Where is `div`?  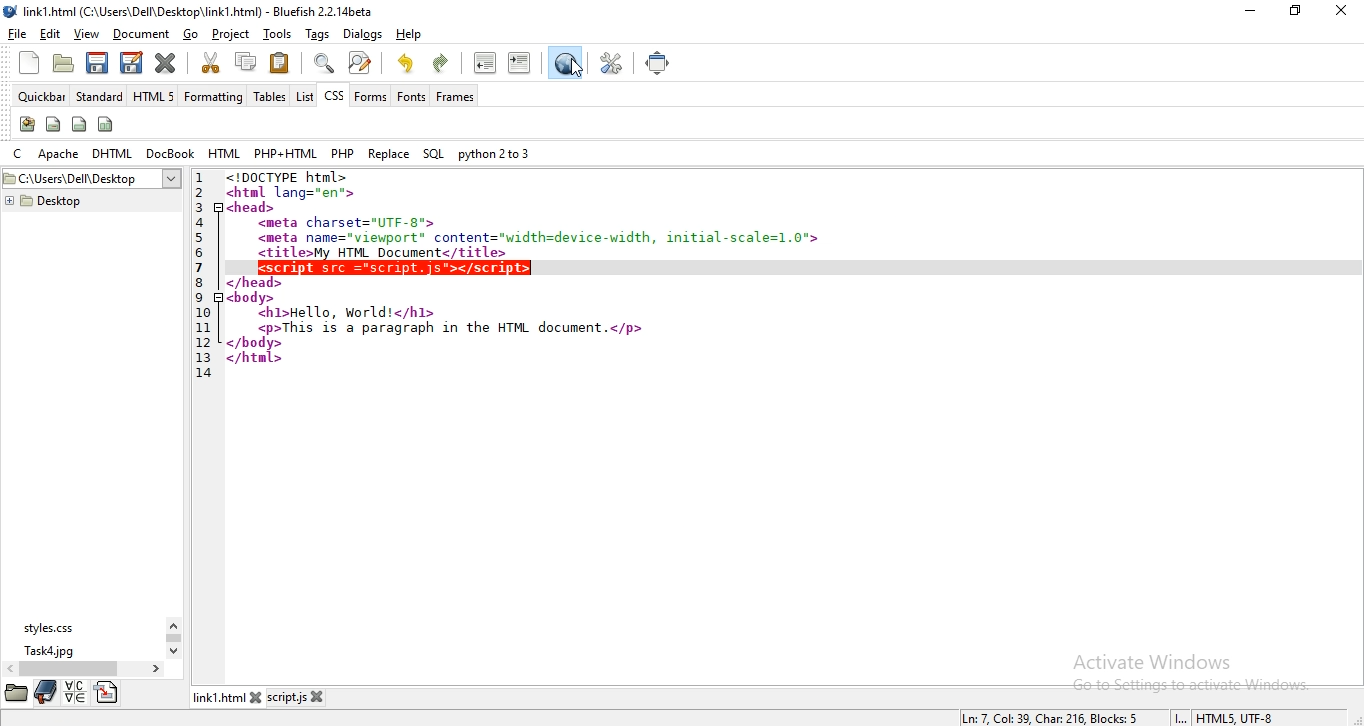 div is located at coordinates (80, 123).